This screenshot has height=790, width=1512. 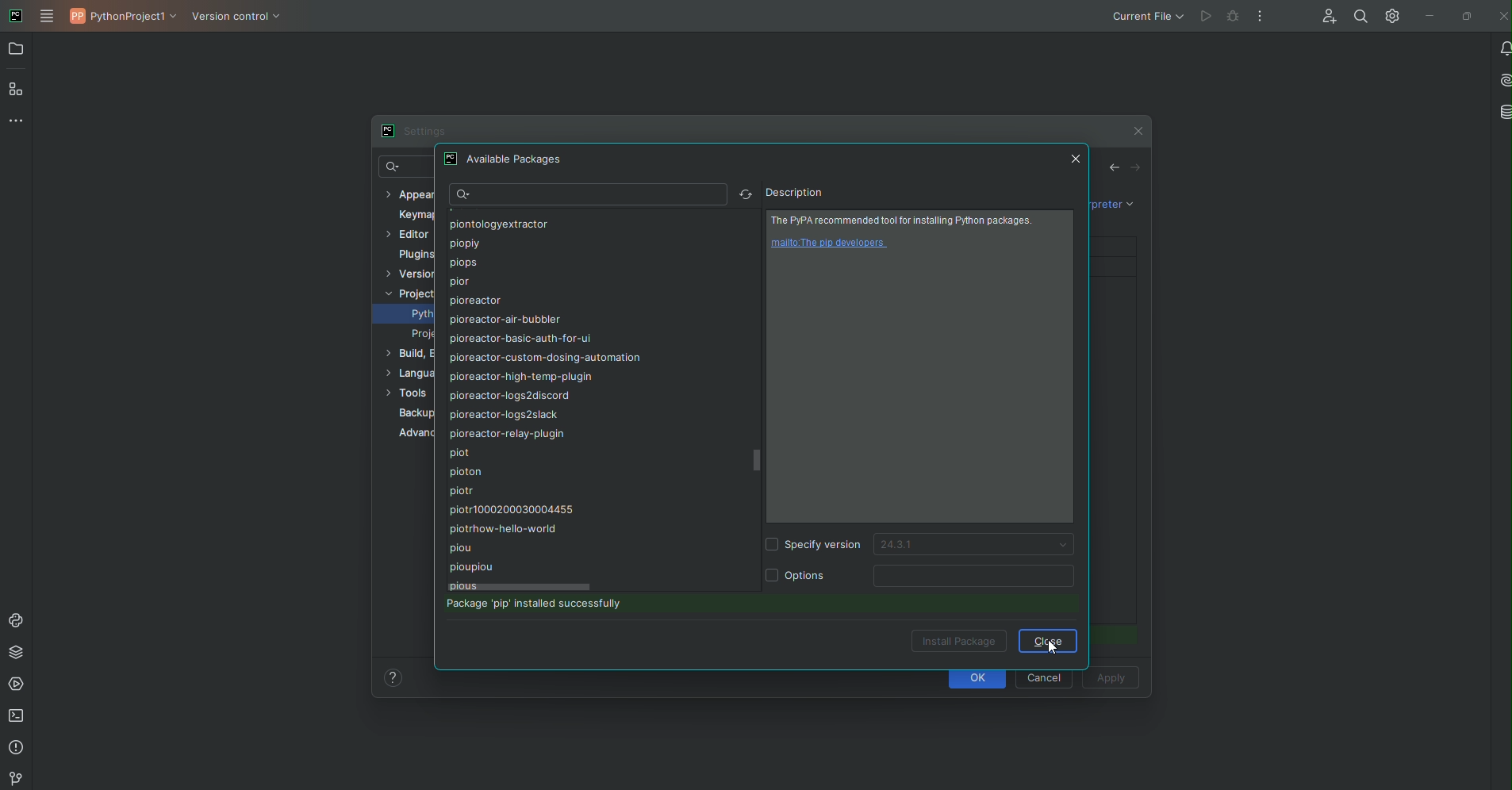 What do you see at coordinates (15, 654) in the screenshot?
I see `Packages` at bounding box center [15, 654].